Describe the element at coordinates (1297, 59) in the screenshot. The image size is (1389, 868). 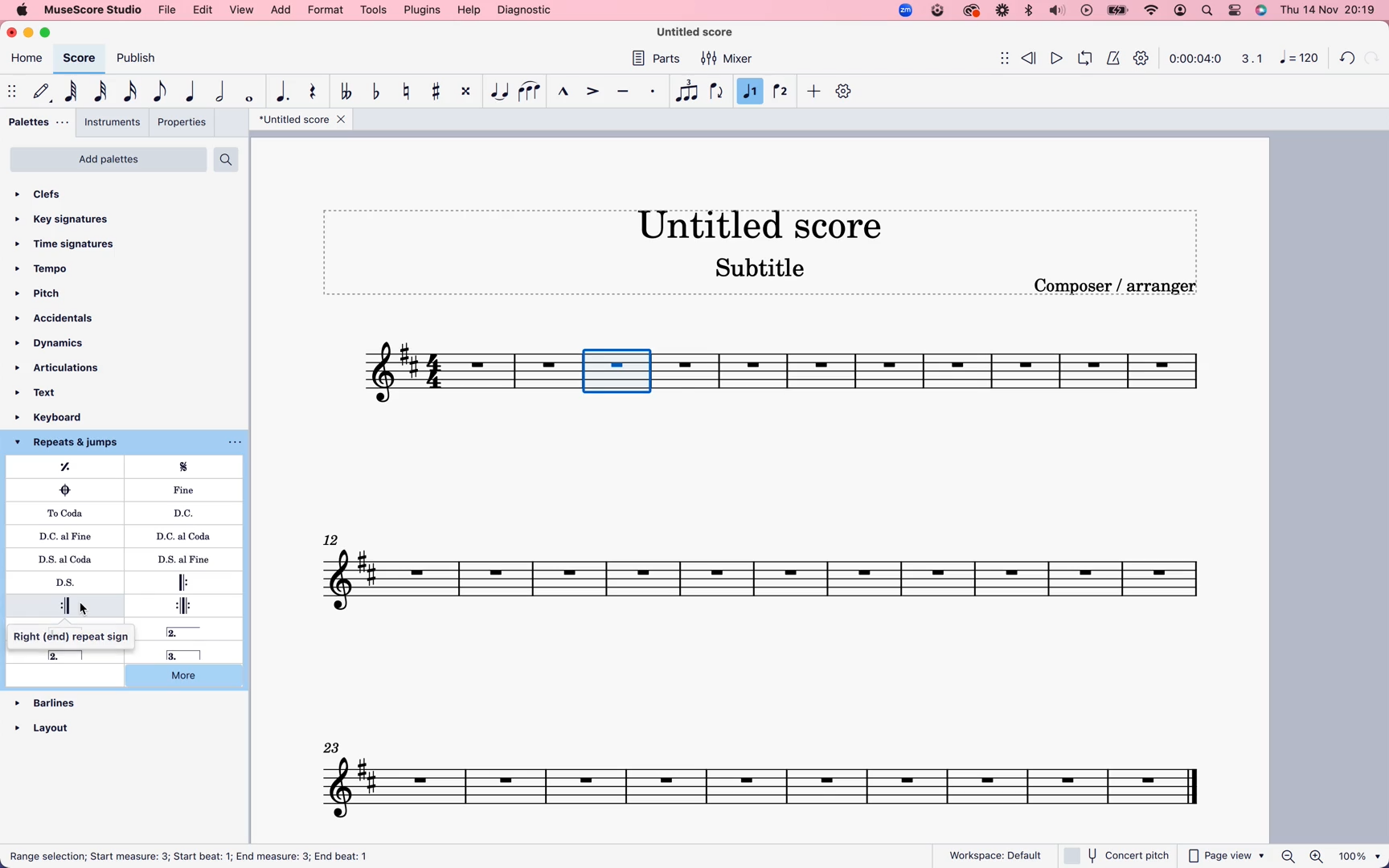
I see `number` at that location.